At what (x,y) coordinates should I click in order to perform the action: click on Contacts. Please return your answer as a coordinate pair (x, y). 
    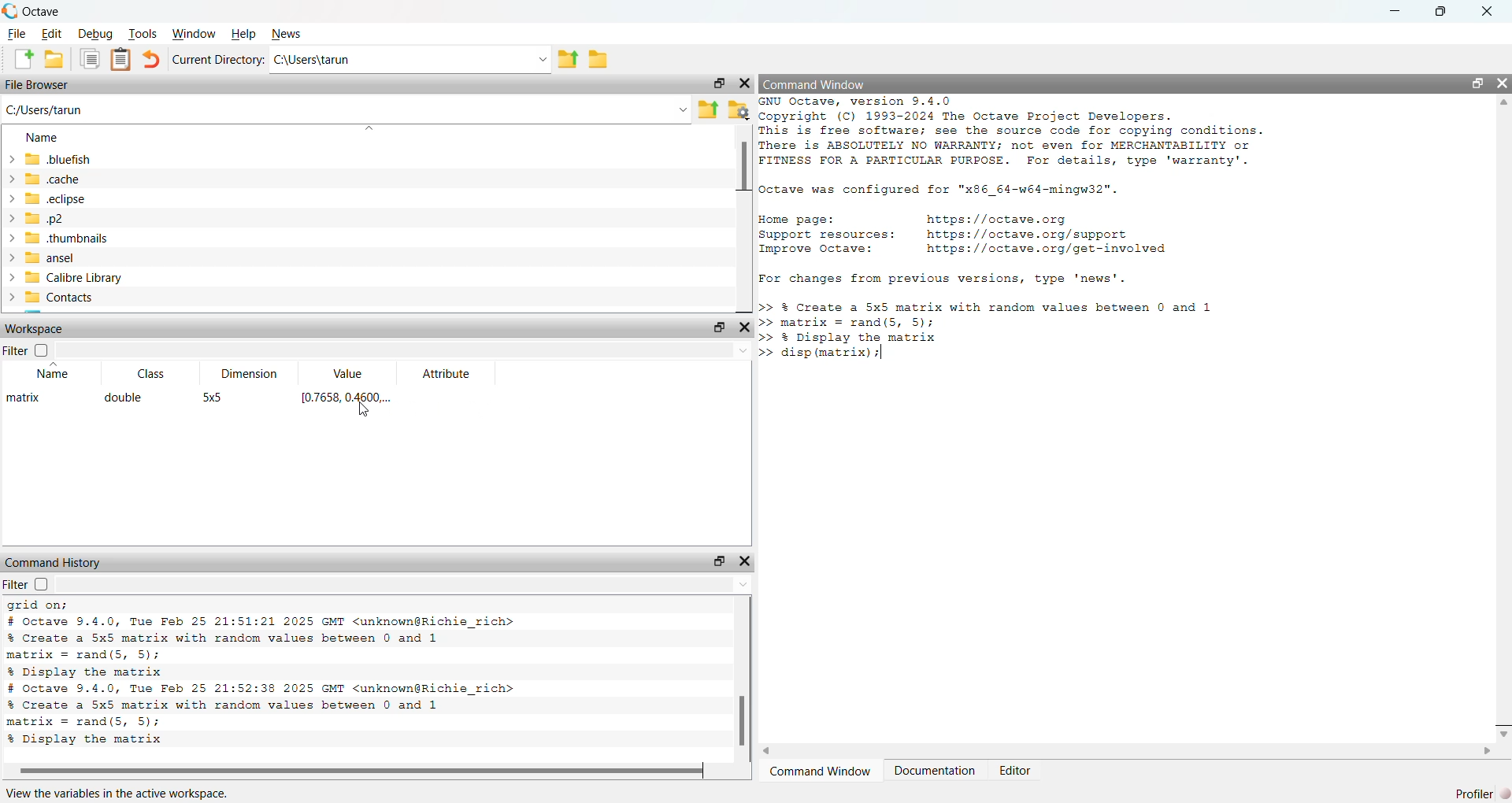
    Looking at the image, I should click on (74, 298).